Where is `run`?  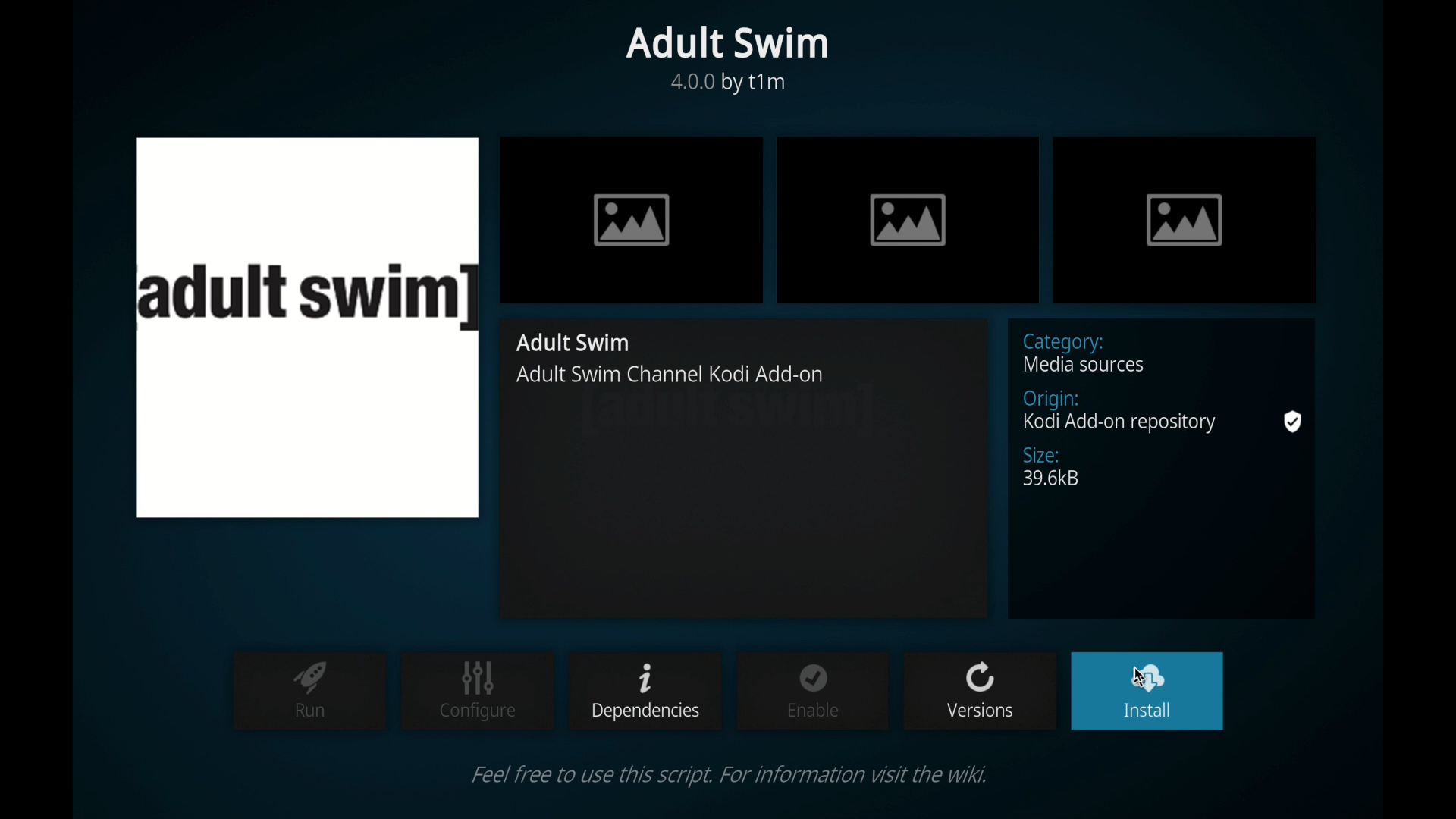
run is located at coordinates (310, 689).